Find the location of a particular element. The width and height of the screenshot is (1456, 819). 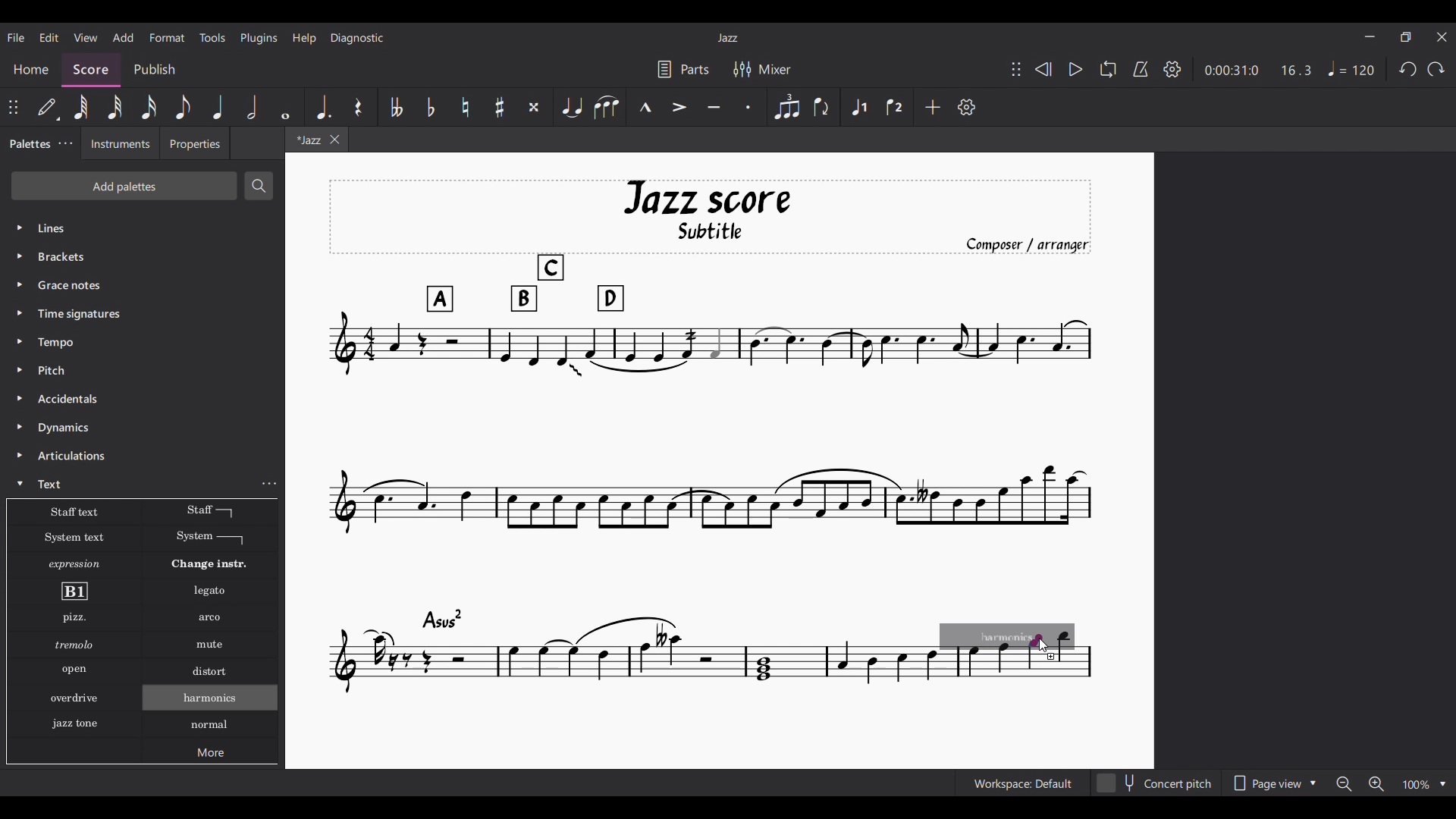

Dynamics is located at coordinates (64, 429).